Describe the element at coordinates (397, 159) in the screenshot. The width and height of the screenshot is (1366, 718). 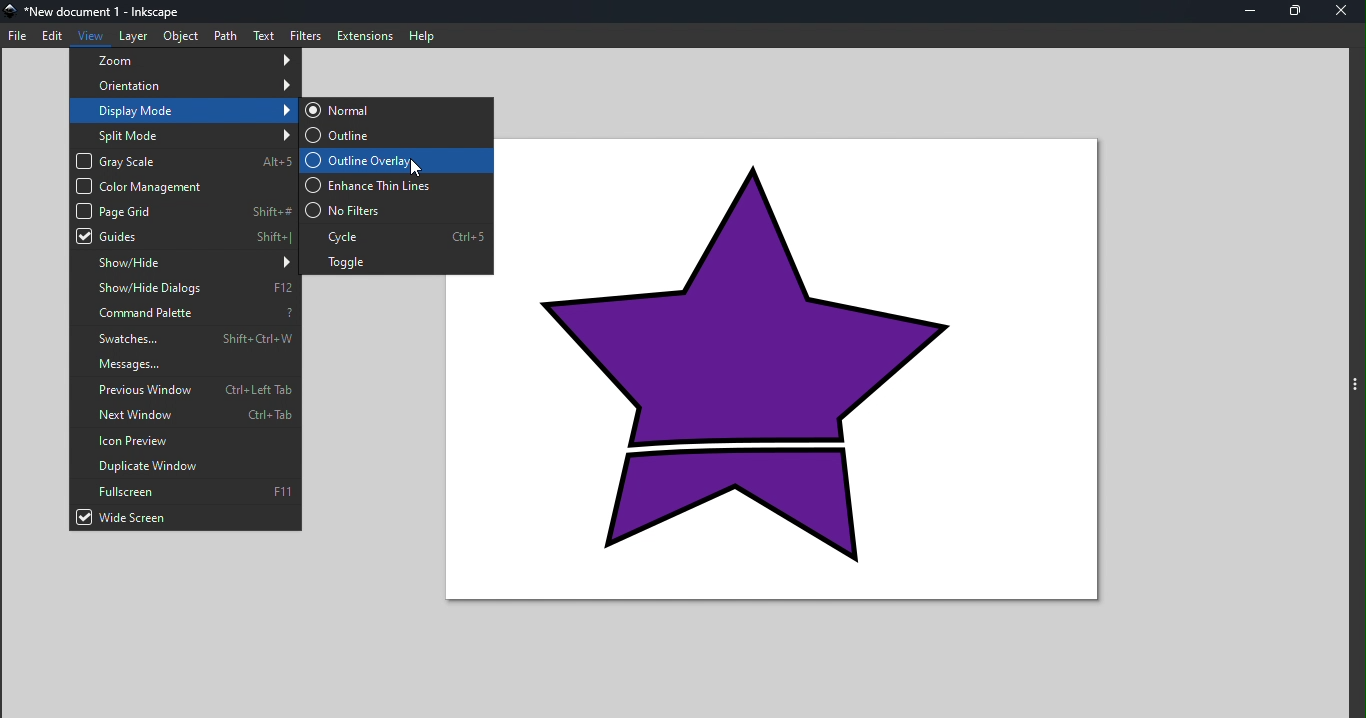
I see `Outline overlay` at that location.